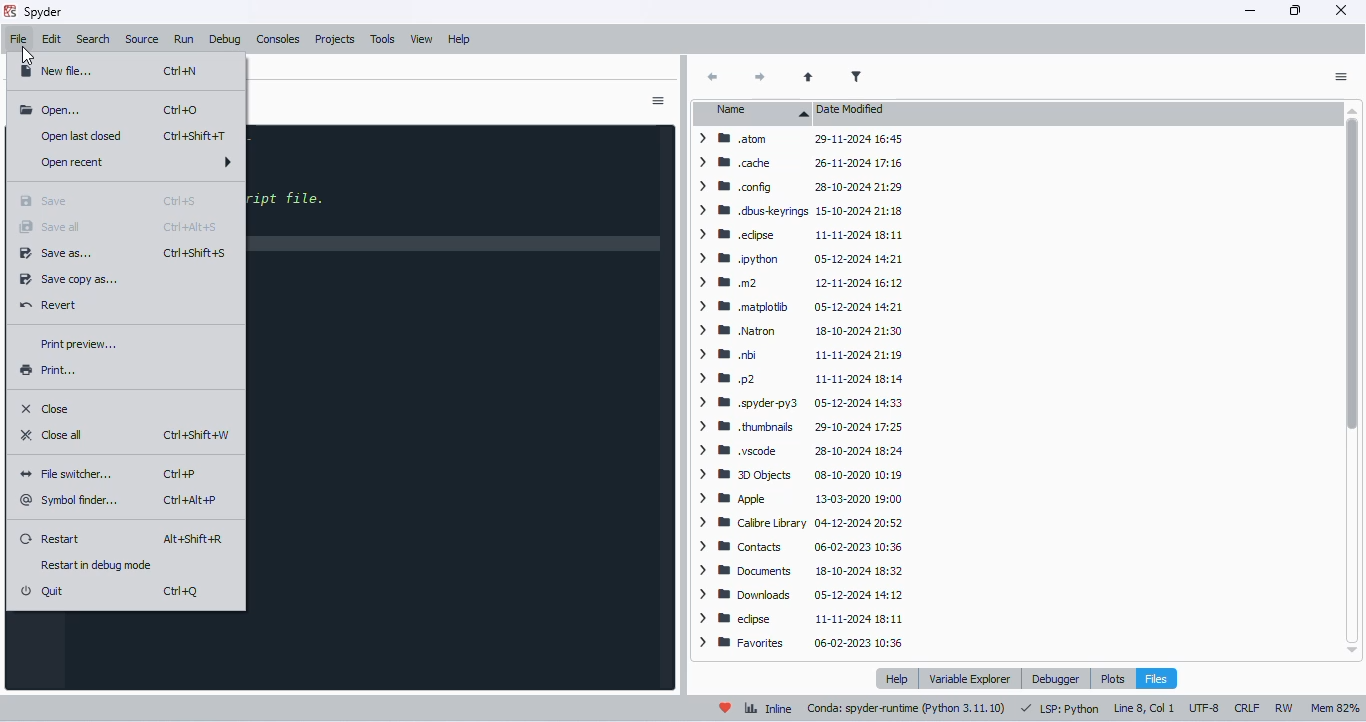  What do you see at coordinates (797, 451) in the screenshot?
I see `> MW yscode 28-10-2024 18:24` at bounding box center [797, 451].